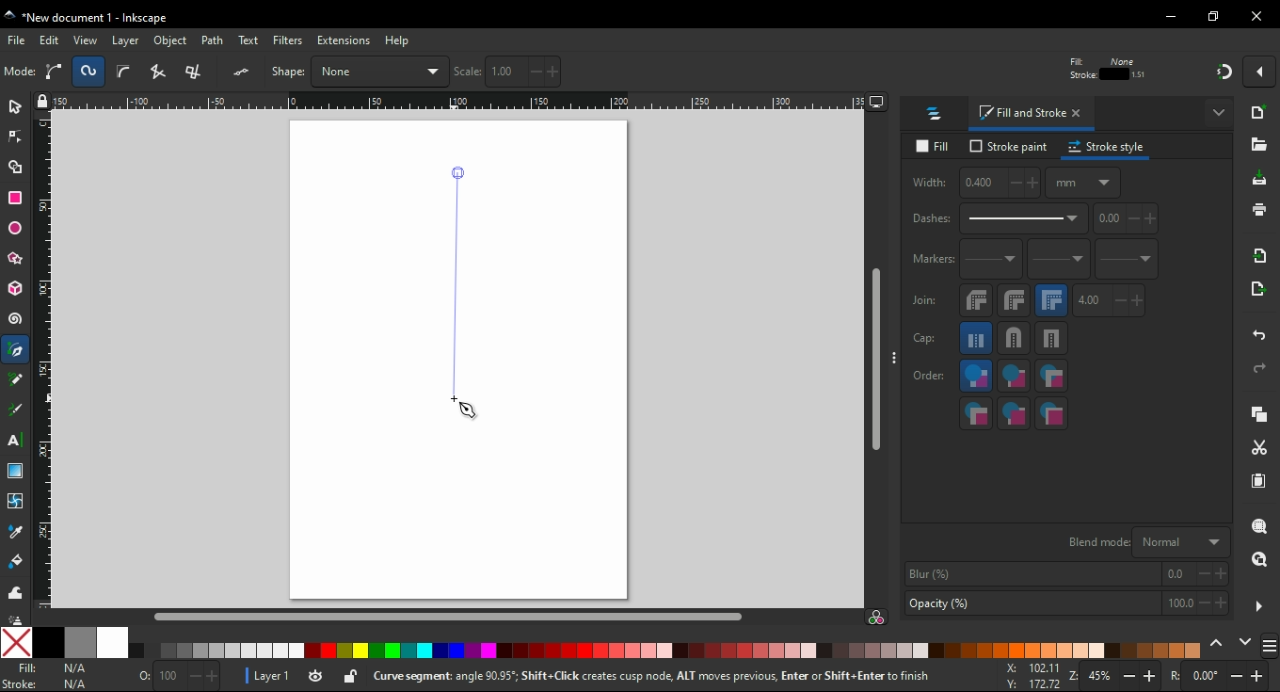 The image size is (1280, 692). I want to click on last markers, so click(1125, 259).